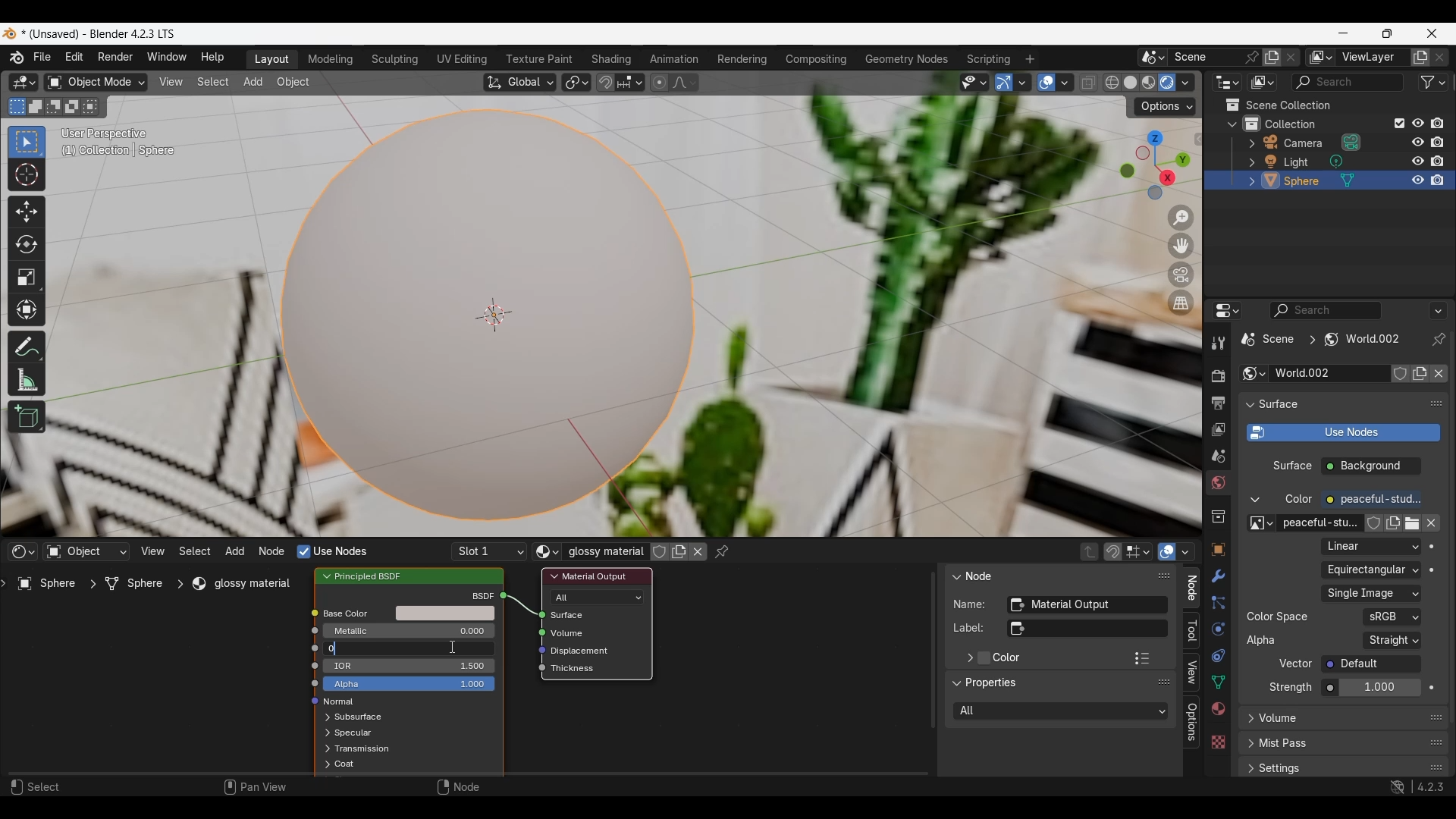  Describe the element at coordinates (152, 551) in the screenshot. I see `View menu` at that location.